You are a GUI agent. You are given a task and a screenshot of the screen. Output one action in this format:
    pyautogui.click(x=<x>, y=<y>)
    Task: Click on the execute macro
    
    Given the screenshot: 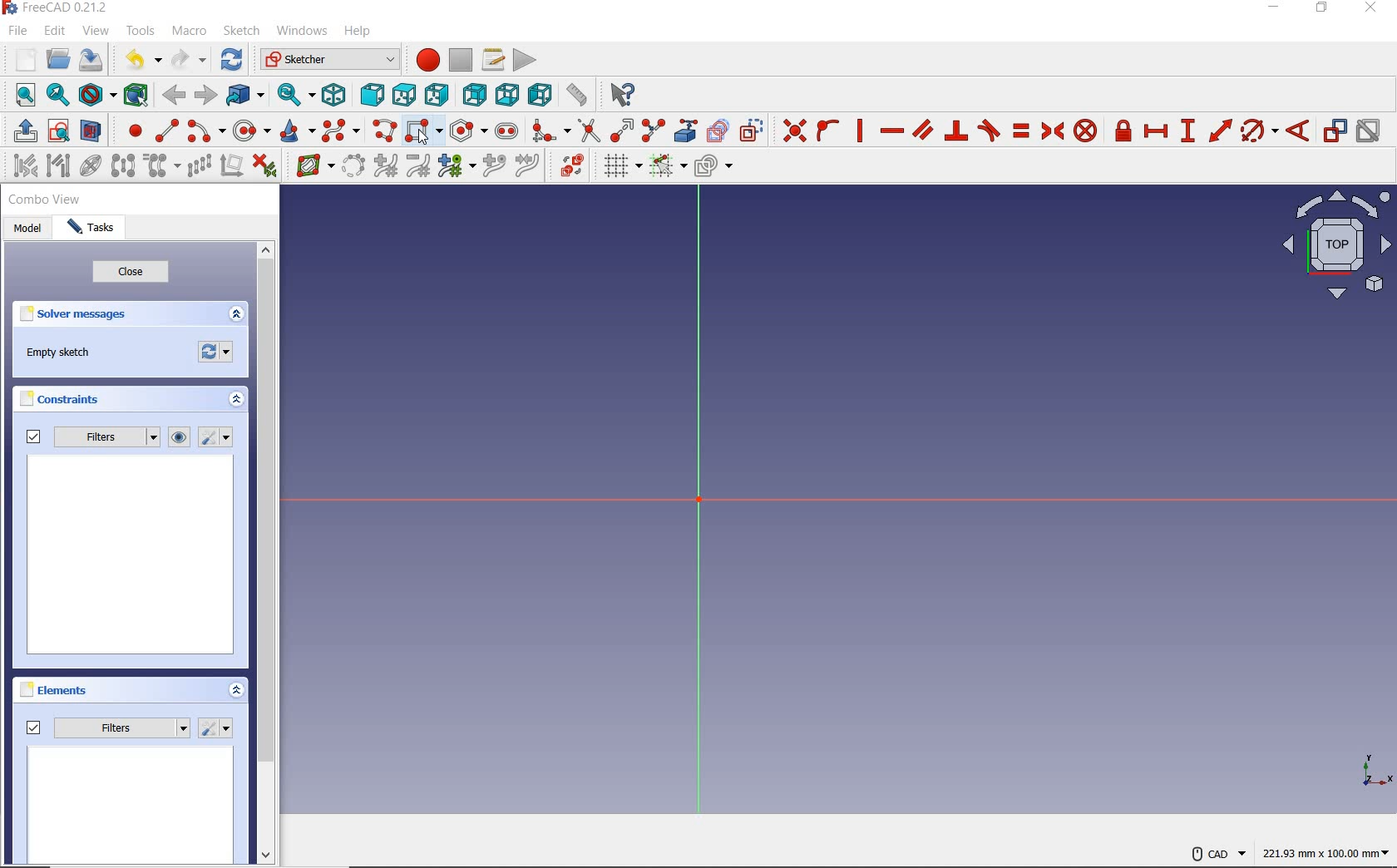 What is the action you would take?
    pyautogui.click(x=525, y=60)
    